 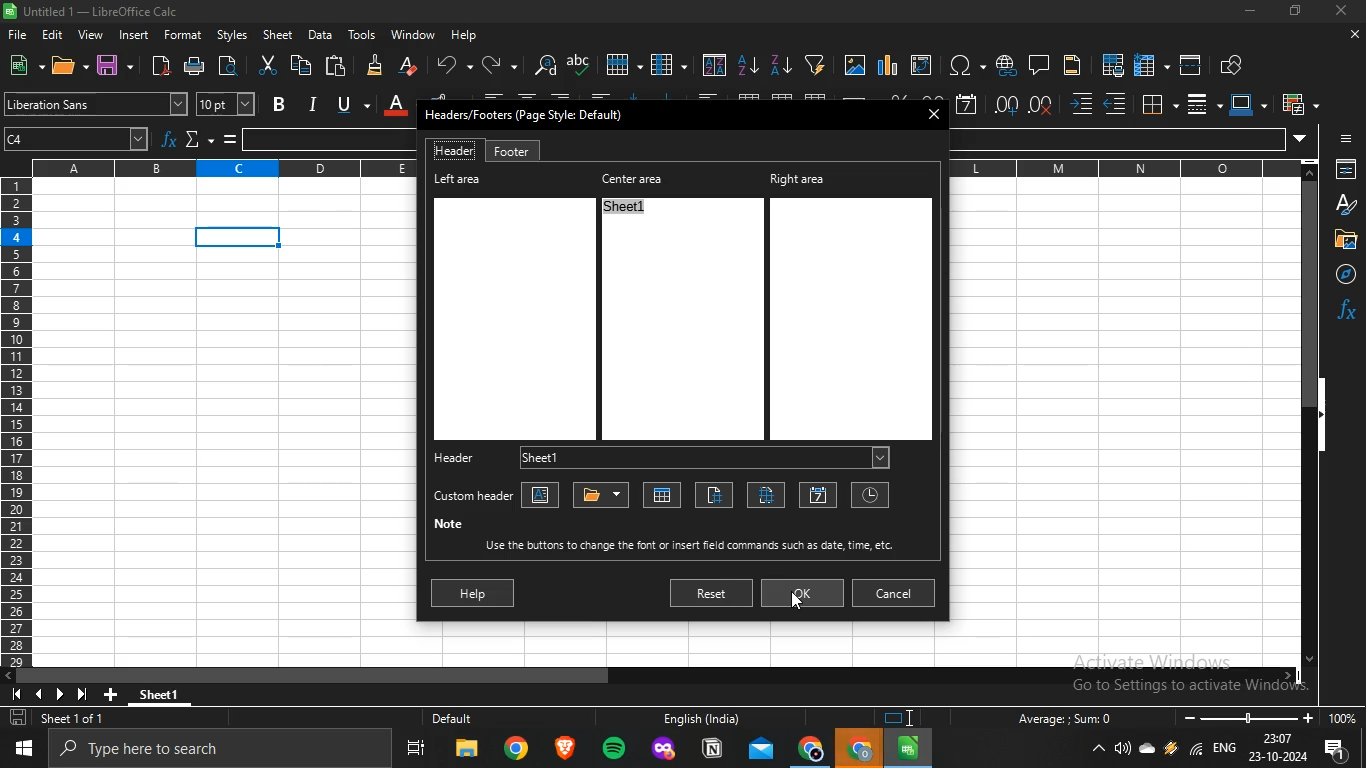 I want to click on , so click(x=1343, y=239).